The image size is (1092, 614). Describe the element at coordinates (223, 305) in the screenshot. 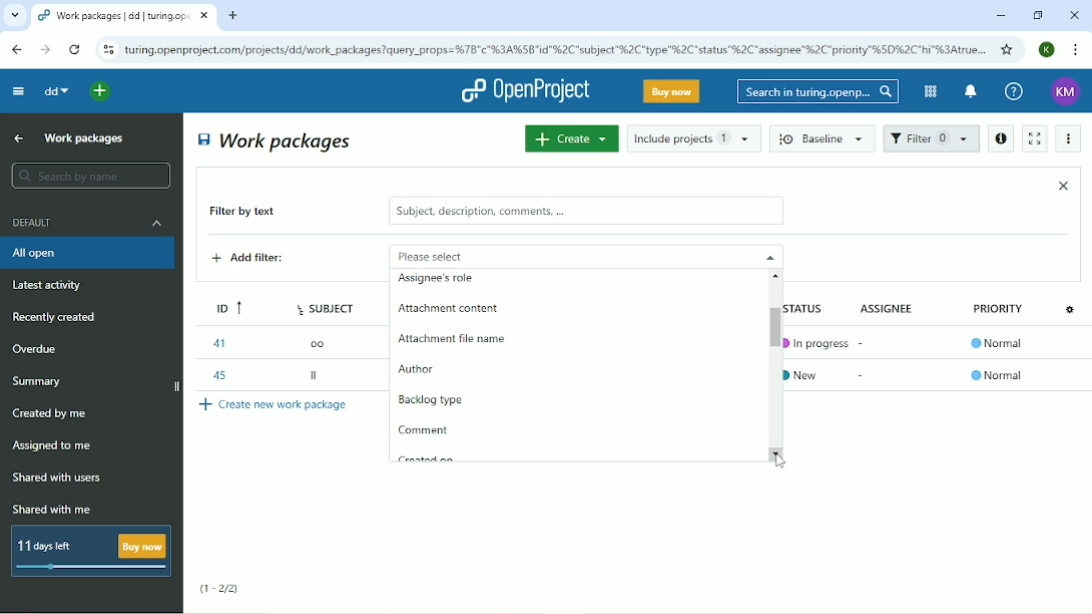

I see `ID` at that location.